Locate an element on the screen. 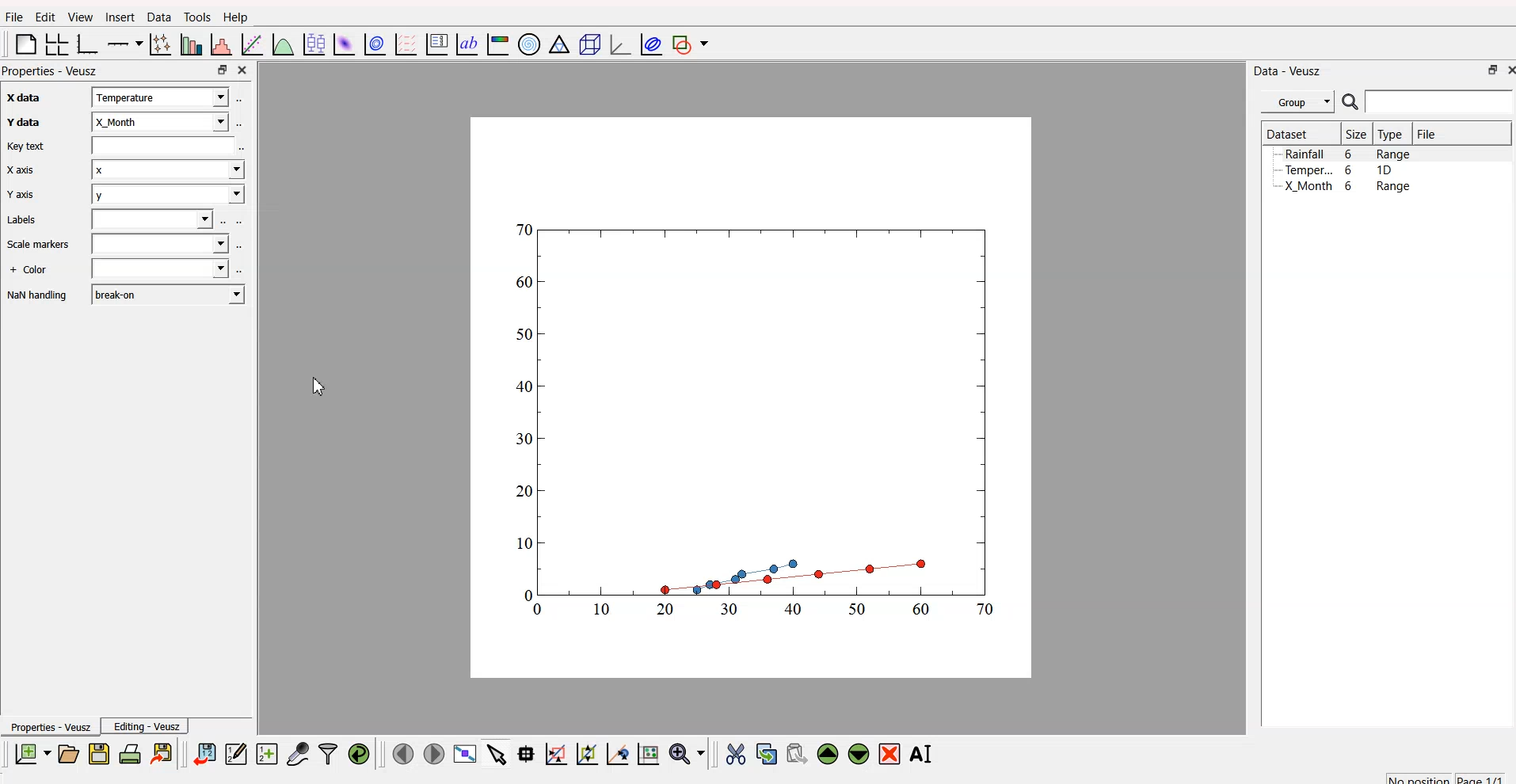 This screenshot has width=1516, height=784. y is located at coordinates (166, 196).